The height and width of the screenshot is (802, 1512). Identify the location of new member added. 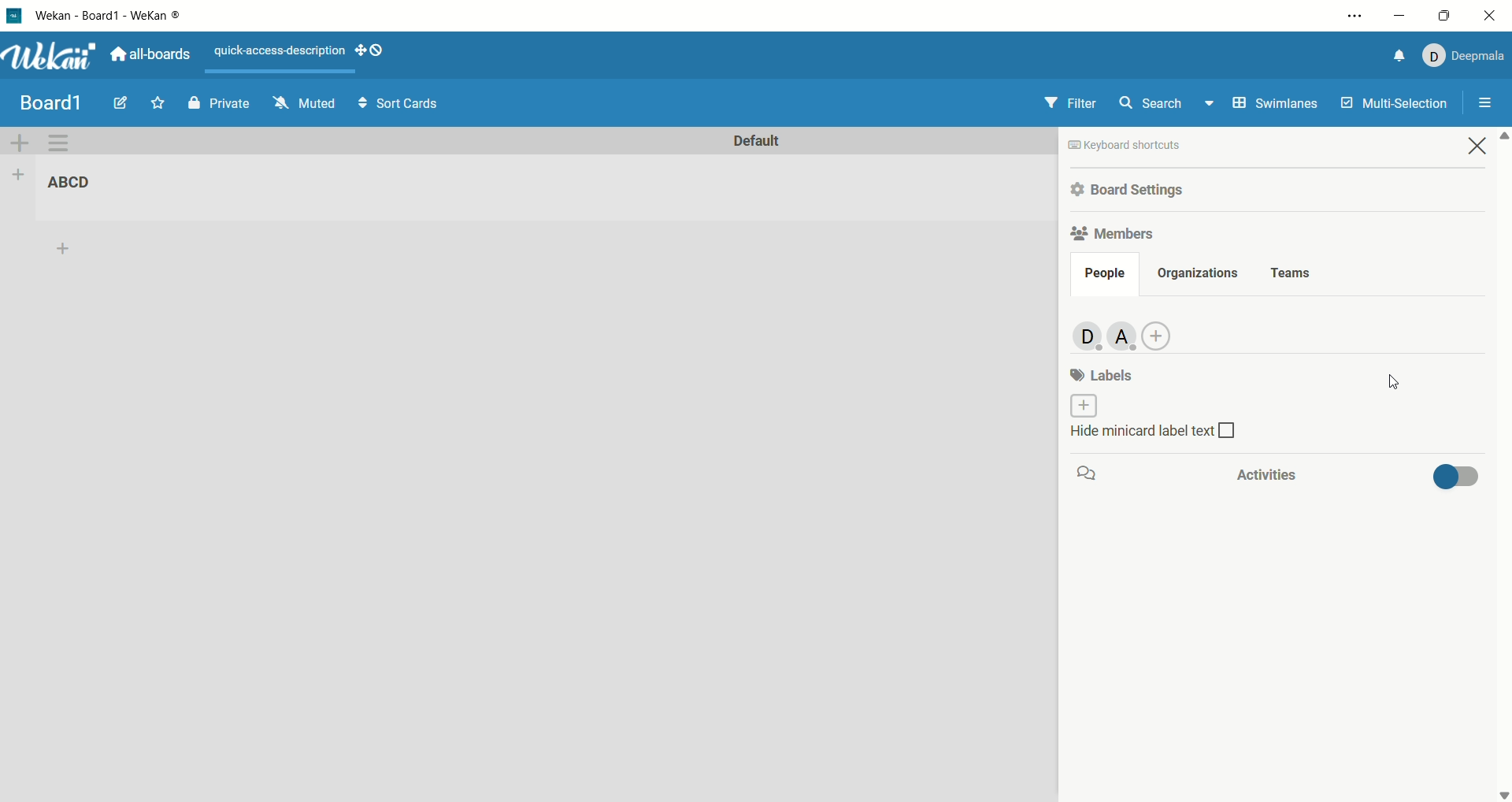
(1123, 336).